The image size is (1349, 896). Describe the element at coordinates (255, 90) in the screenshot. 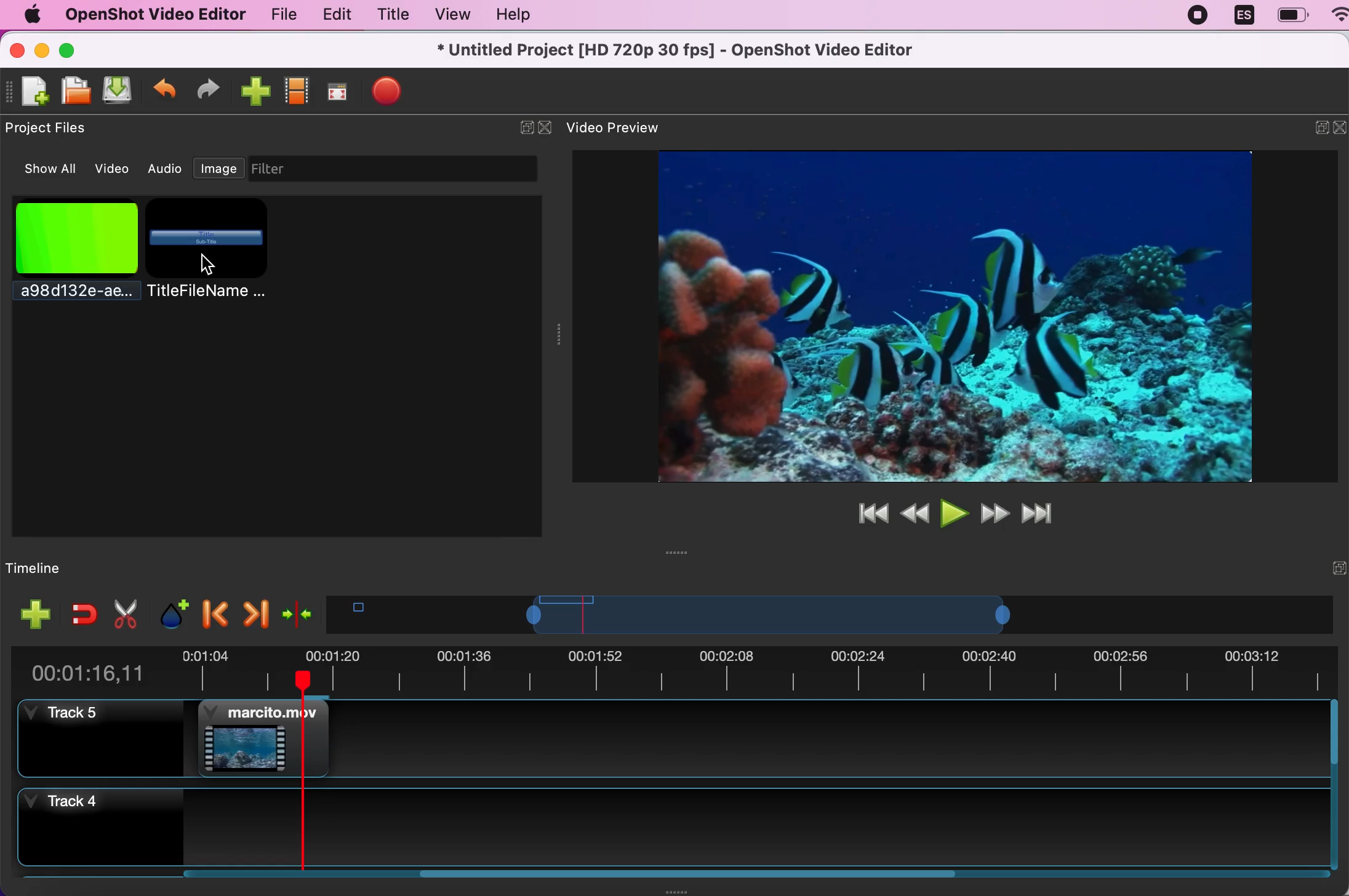

I see `import file` at that location.